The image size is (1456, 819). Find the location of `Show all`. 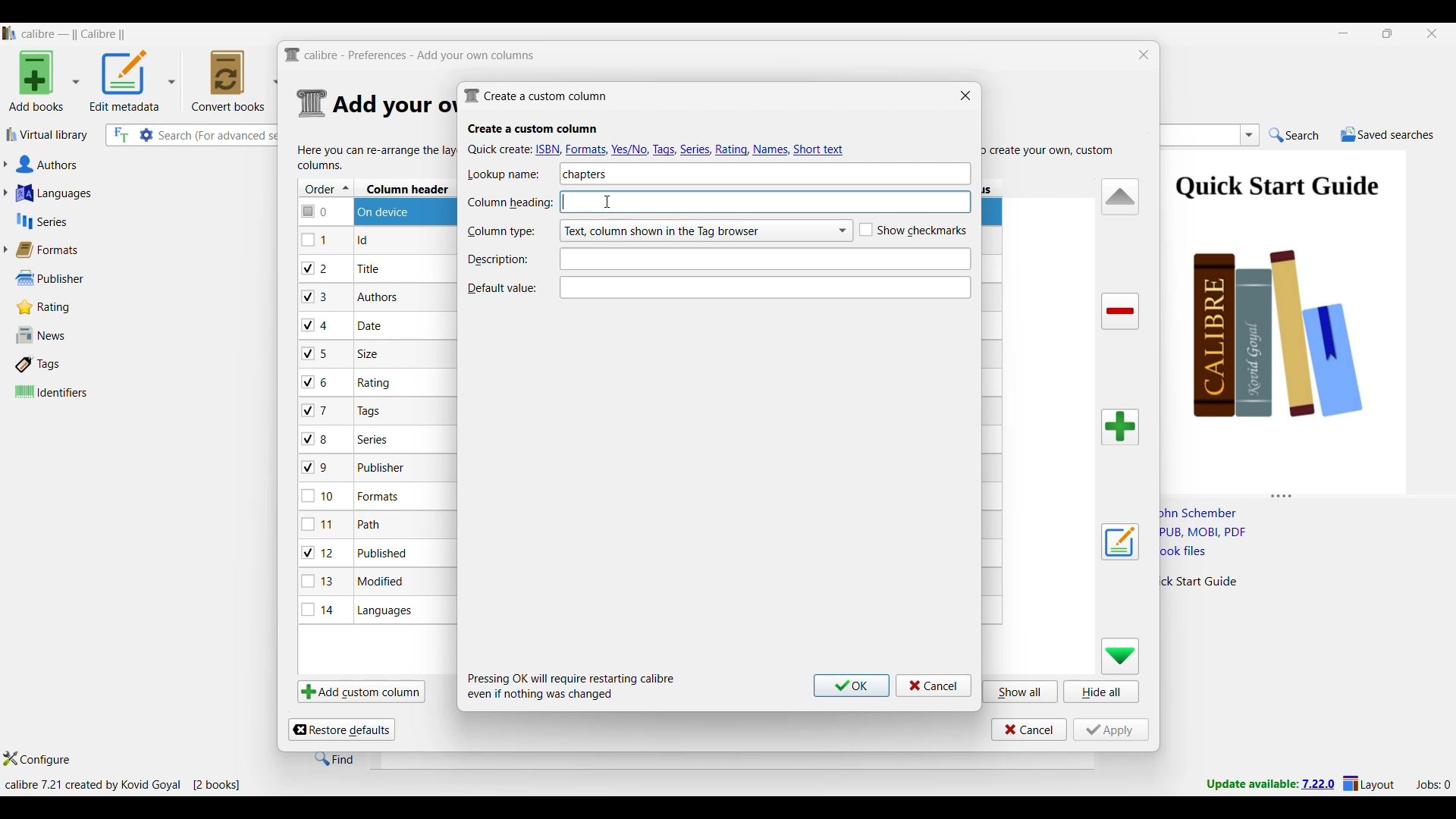

Show all is located at coordinates (1021, 691).